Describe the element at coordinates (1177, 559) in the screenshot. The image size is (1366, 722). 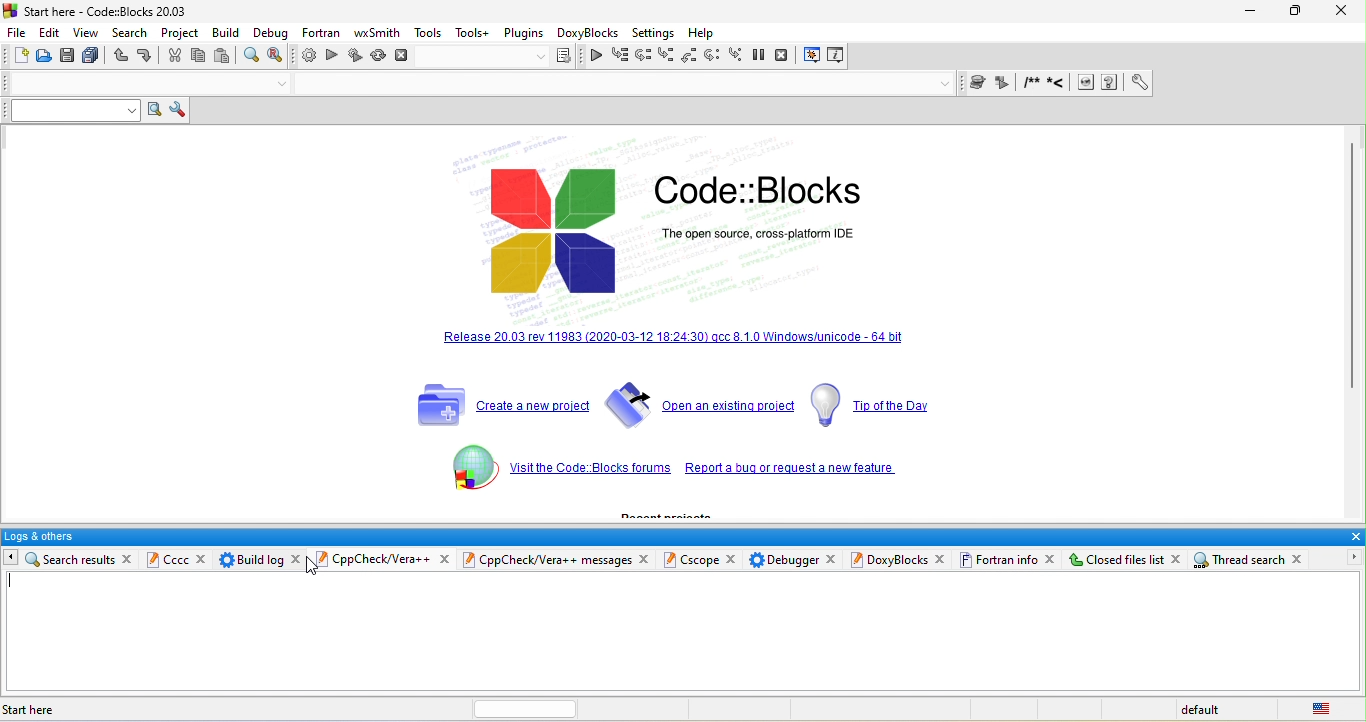
I see `close` at that location.